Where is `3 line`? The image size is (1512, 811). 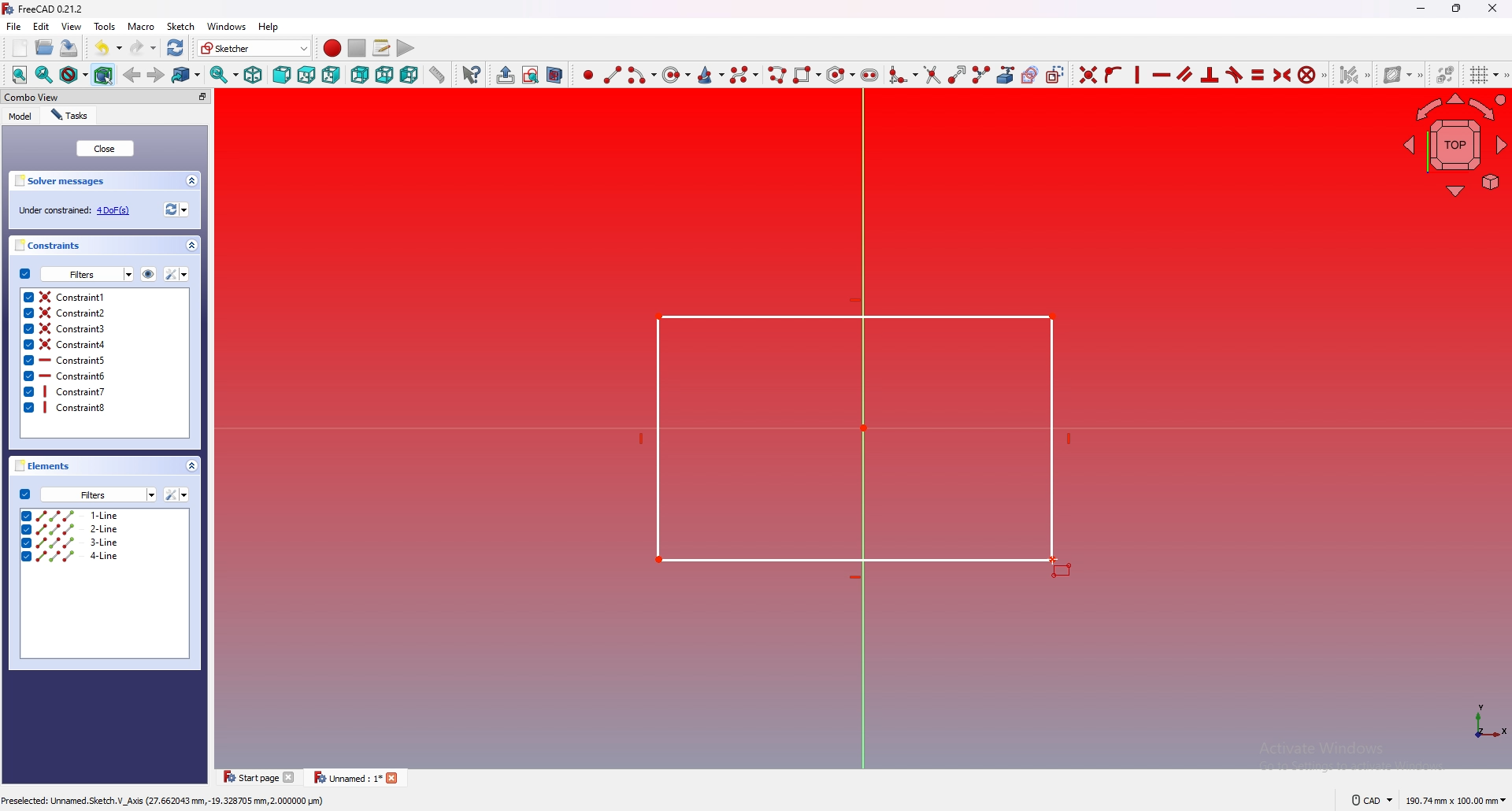 3 line is located at coordinates (104, 541).